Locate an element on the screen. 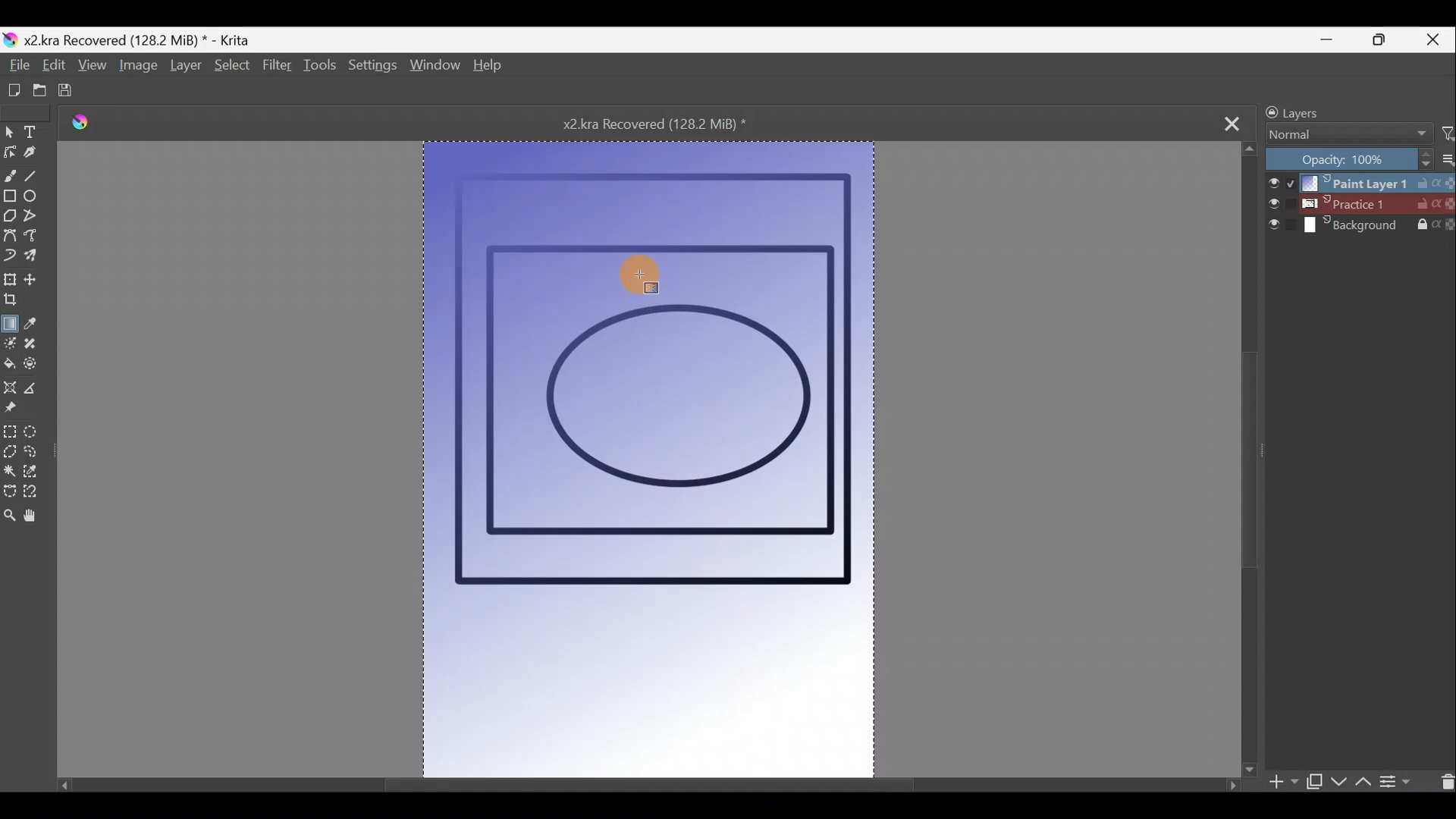 The width and height of the screenshot is (1456, 819). Delete layer/mask is located at coordinates (1443, 780).